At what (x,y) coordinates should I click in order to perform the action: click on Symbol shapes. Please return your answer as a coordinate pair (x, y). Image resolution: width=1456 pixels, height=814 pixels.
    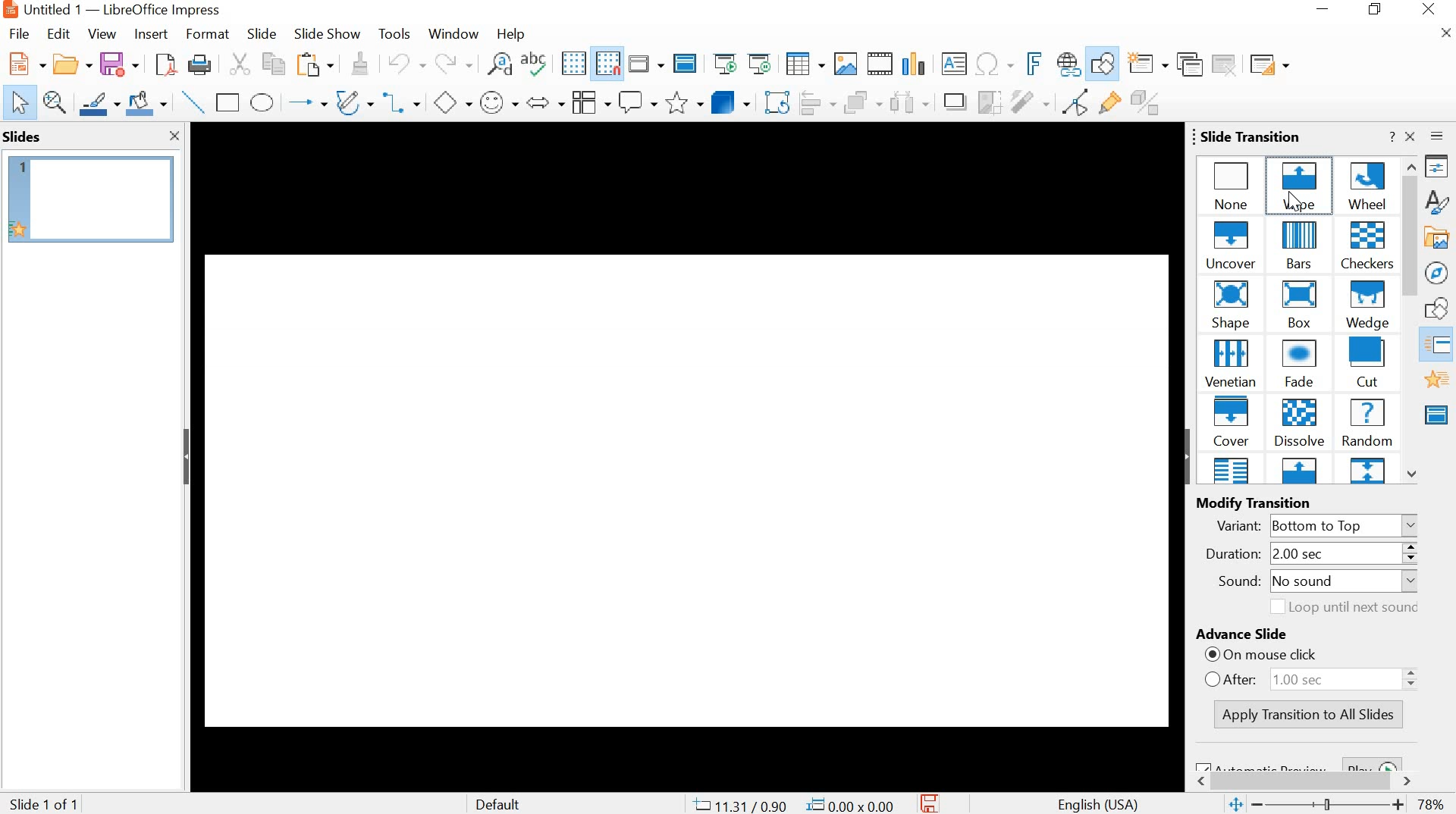
    Looking at the image, I should click on (497, 101).